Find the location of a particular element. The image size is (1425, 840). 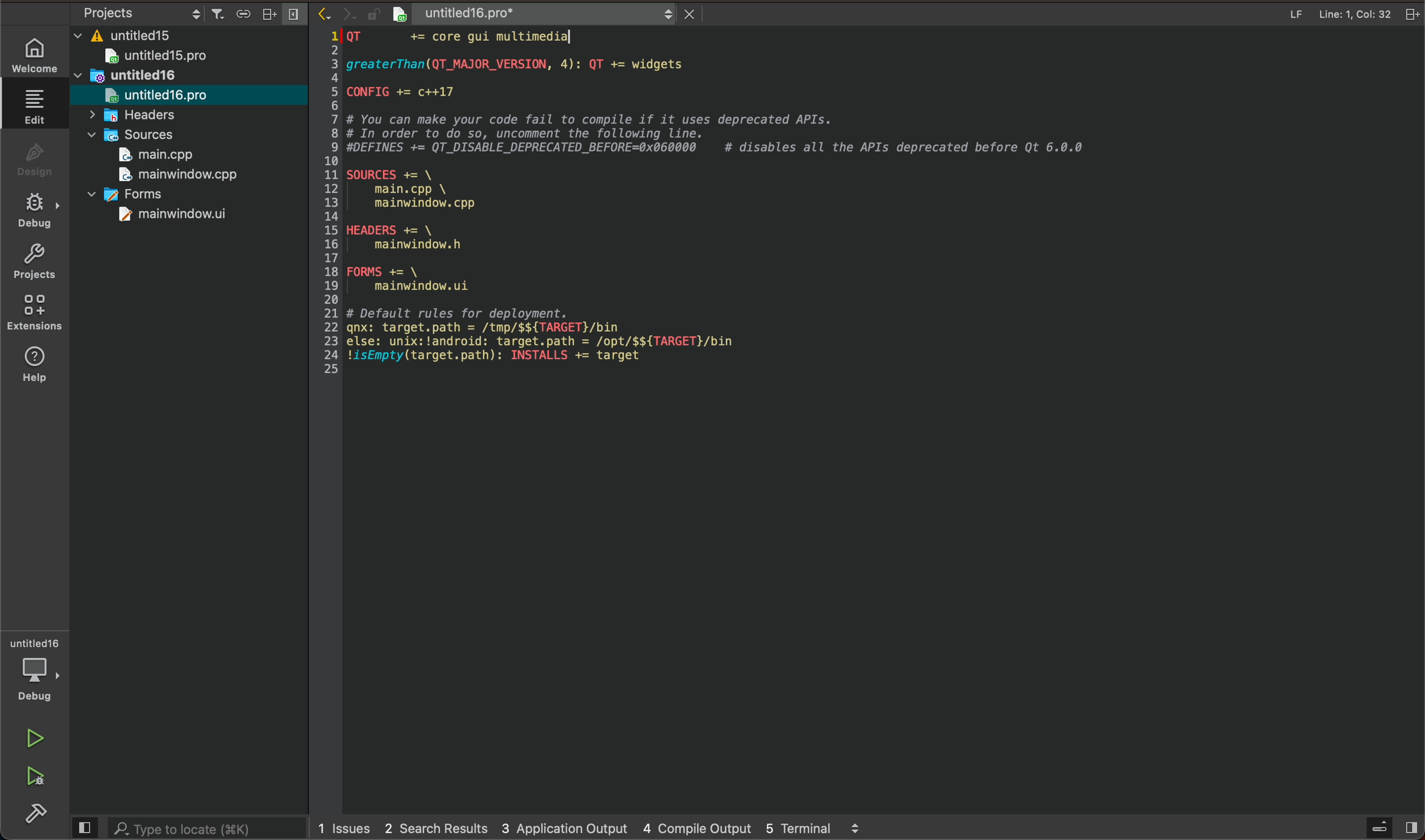

close is located at coordinates (683, 14).